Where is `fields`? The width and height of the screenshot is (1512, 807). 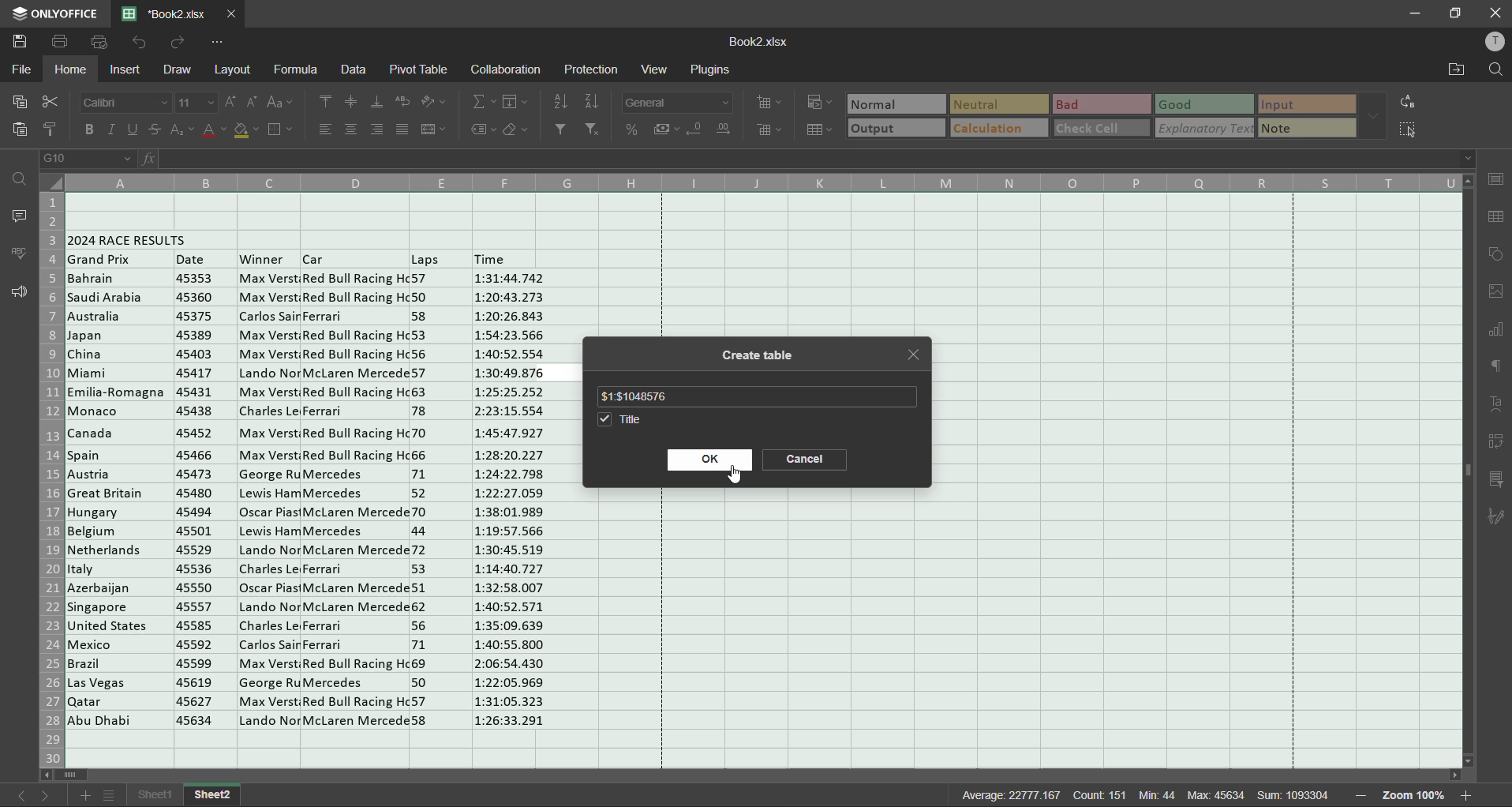 fields is located at coordinates (515, 103).